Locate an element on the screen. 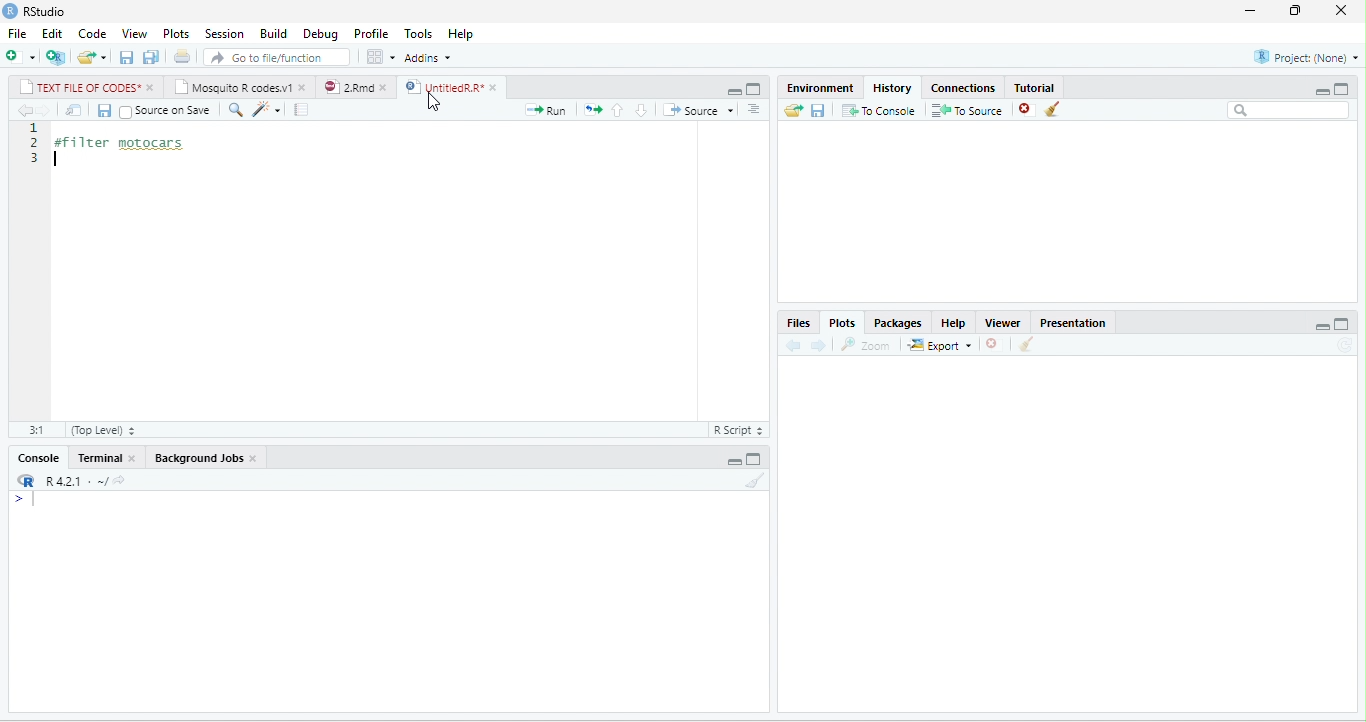 This screenshot has height=722, width=1366. maximize is located at coordinates (753, 460).